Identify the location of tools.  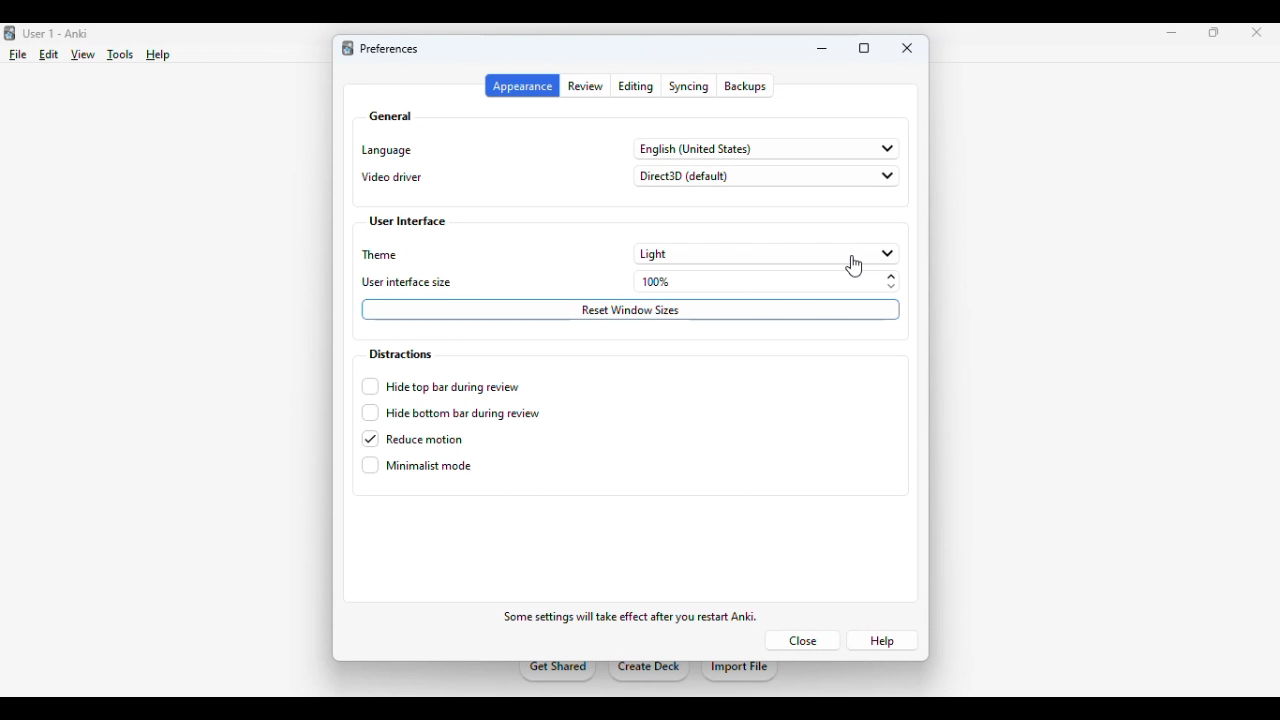
(122, 55).